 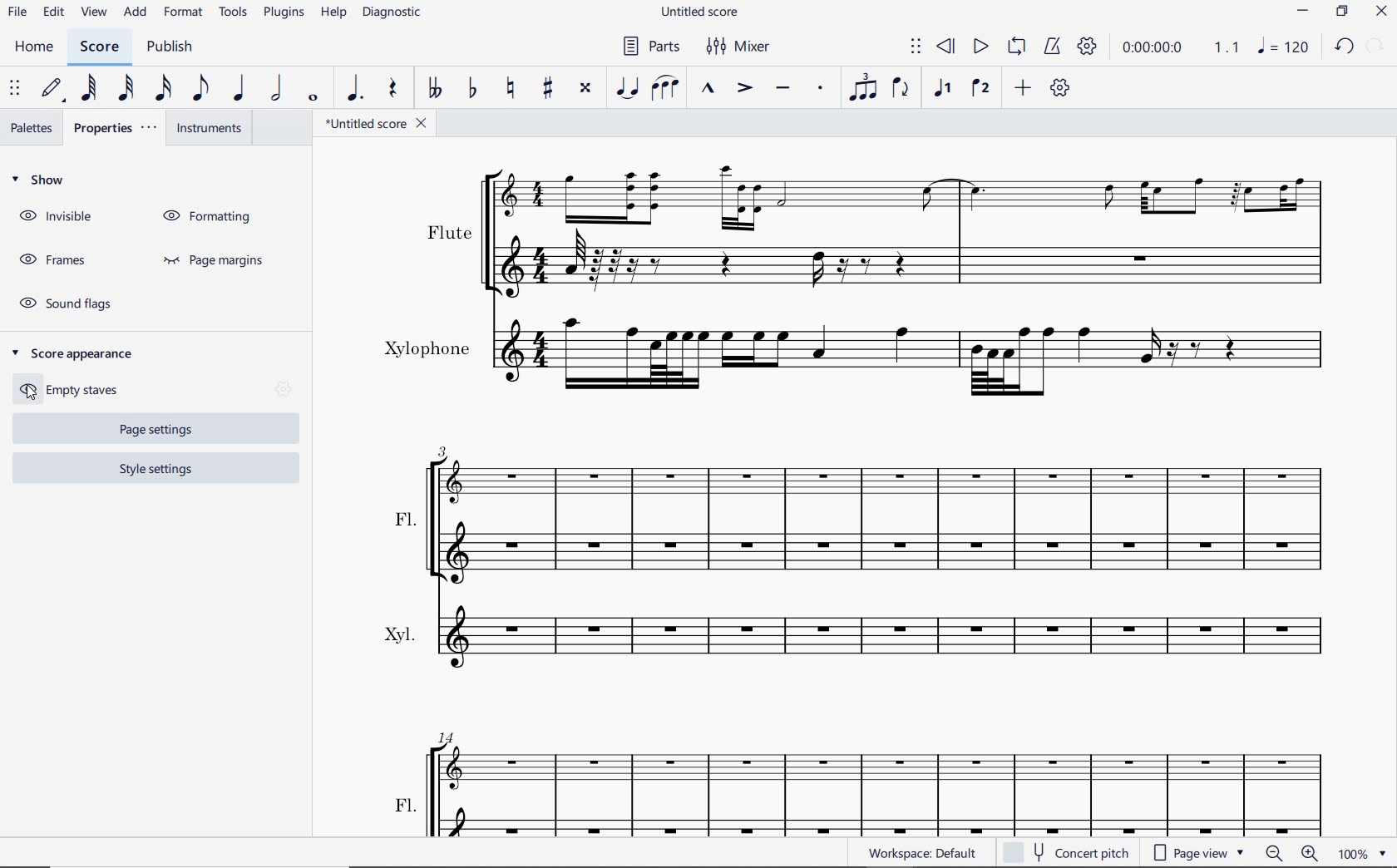 I want to click on VOICE 1, so click(x=943, y=88).